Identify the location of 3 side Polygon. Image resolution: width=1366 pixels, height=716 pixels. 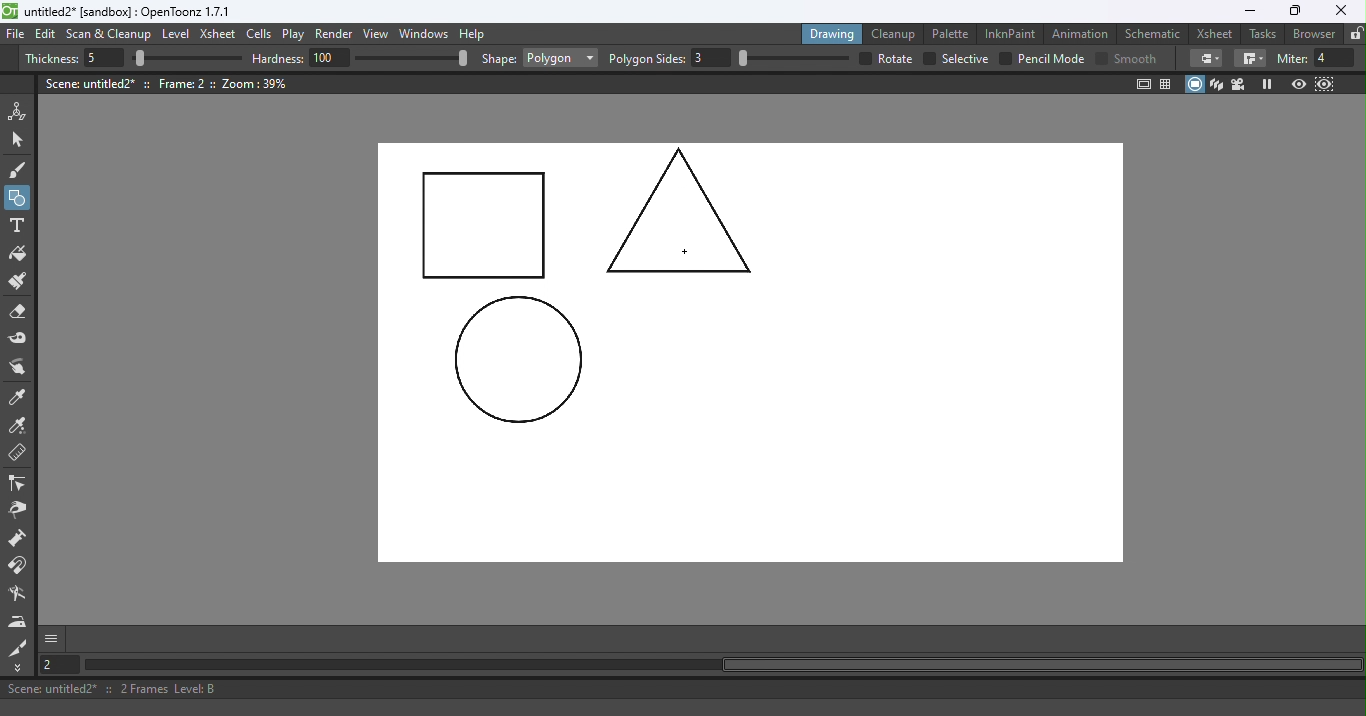
(680, 209).